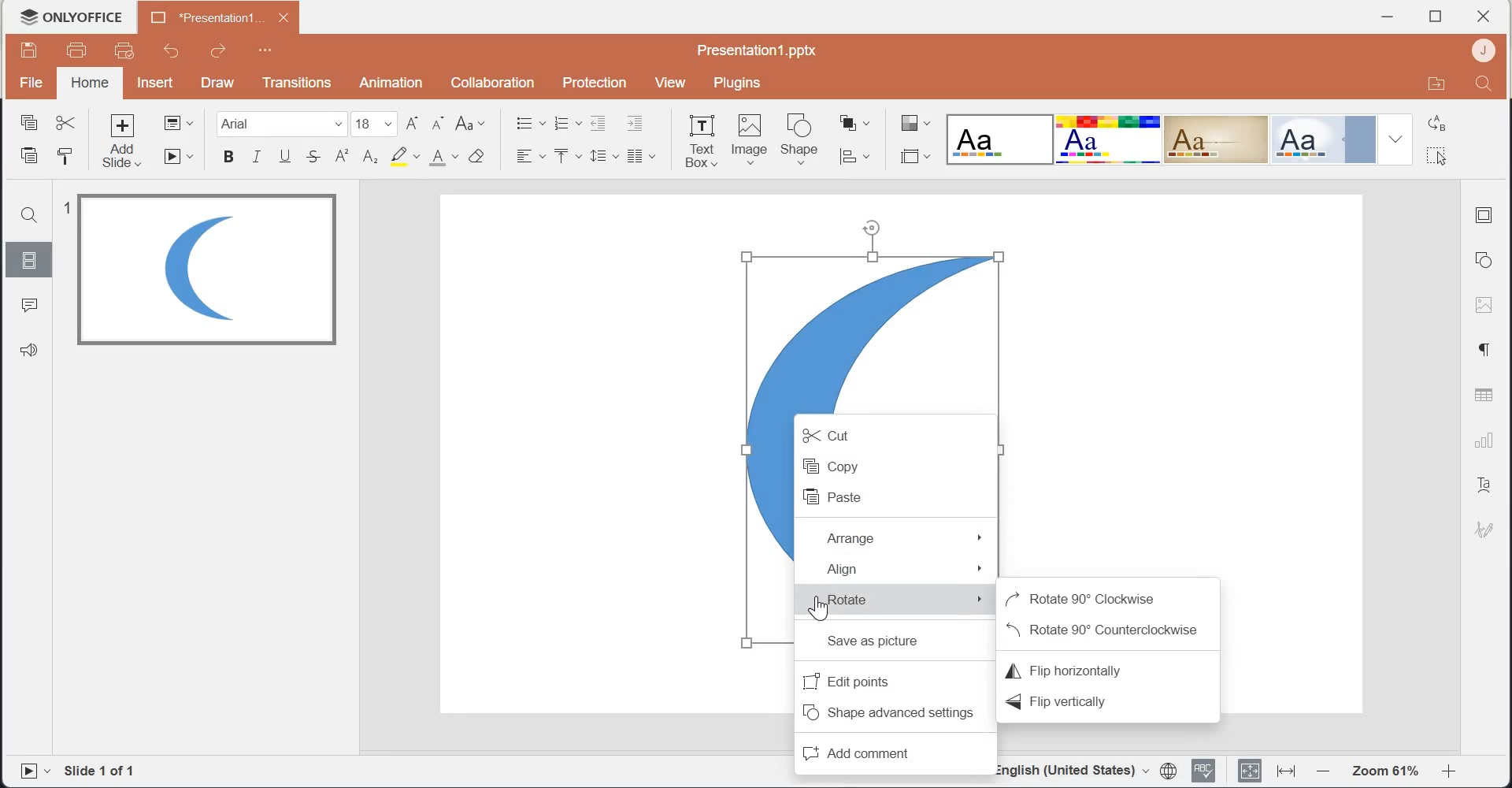 Image resolution: width=1512 pixels, height=788 pixels. I want to click on Insert, so click(157, 82).